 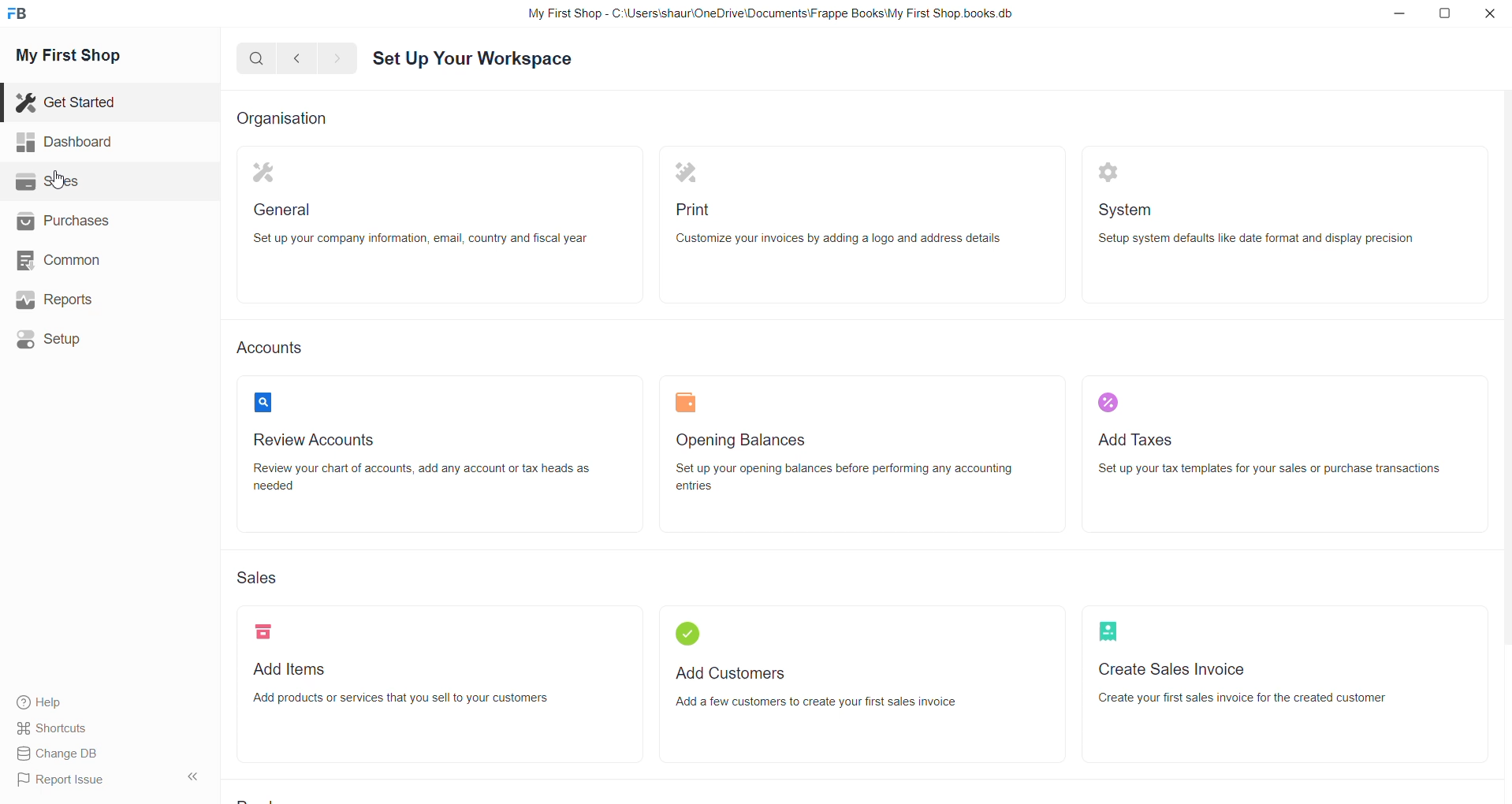 I want to click on hide sidebar, so click(x=188, y=778).